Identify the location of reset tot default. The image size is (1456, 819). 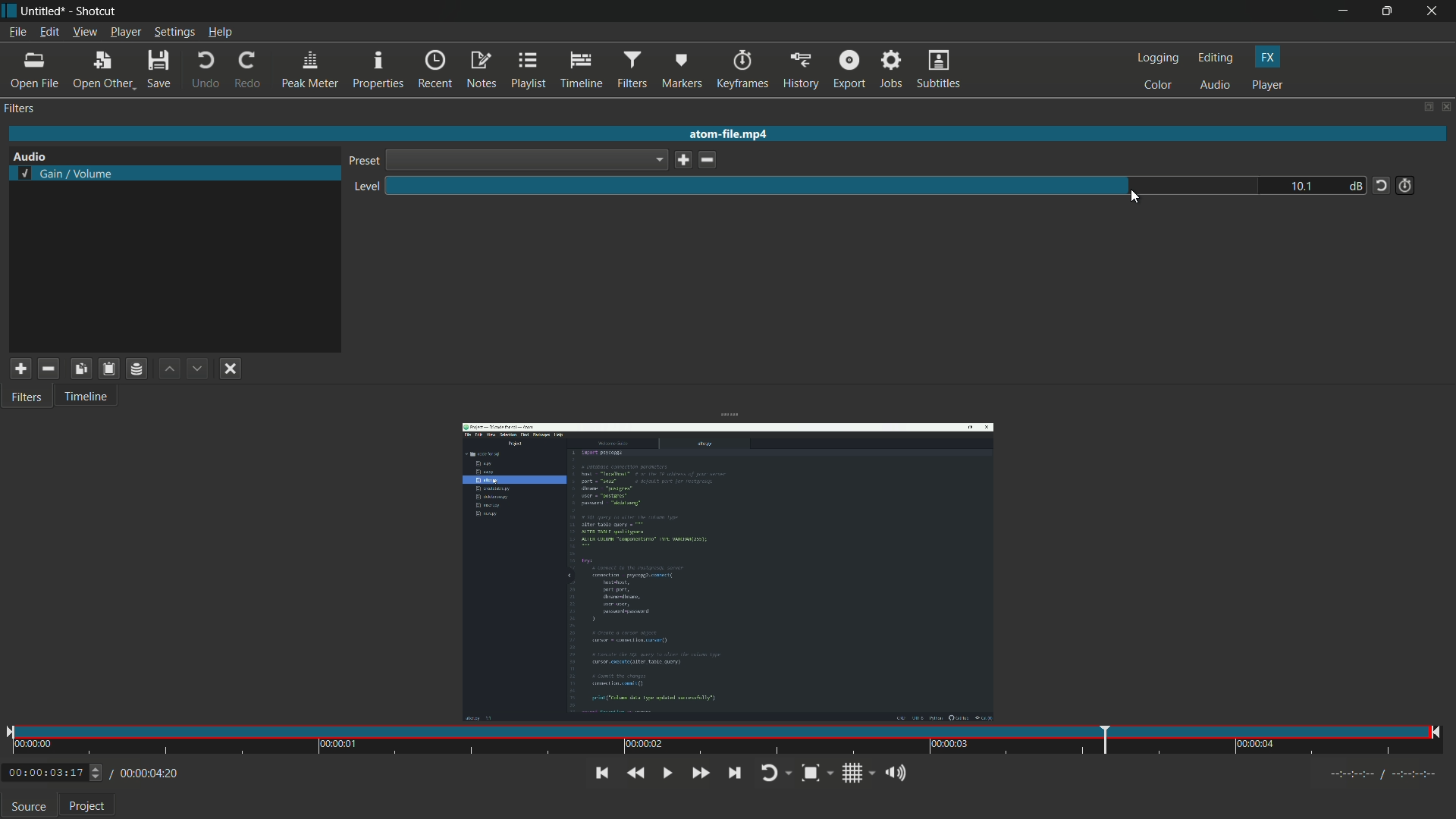
(1381, 185).